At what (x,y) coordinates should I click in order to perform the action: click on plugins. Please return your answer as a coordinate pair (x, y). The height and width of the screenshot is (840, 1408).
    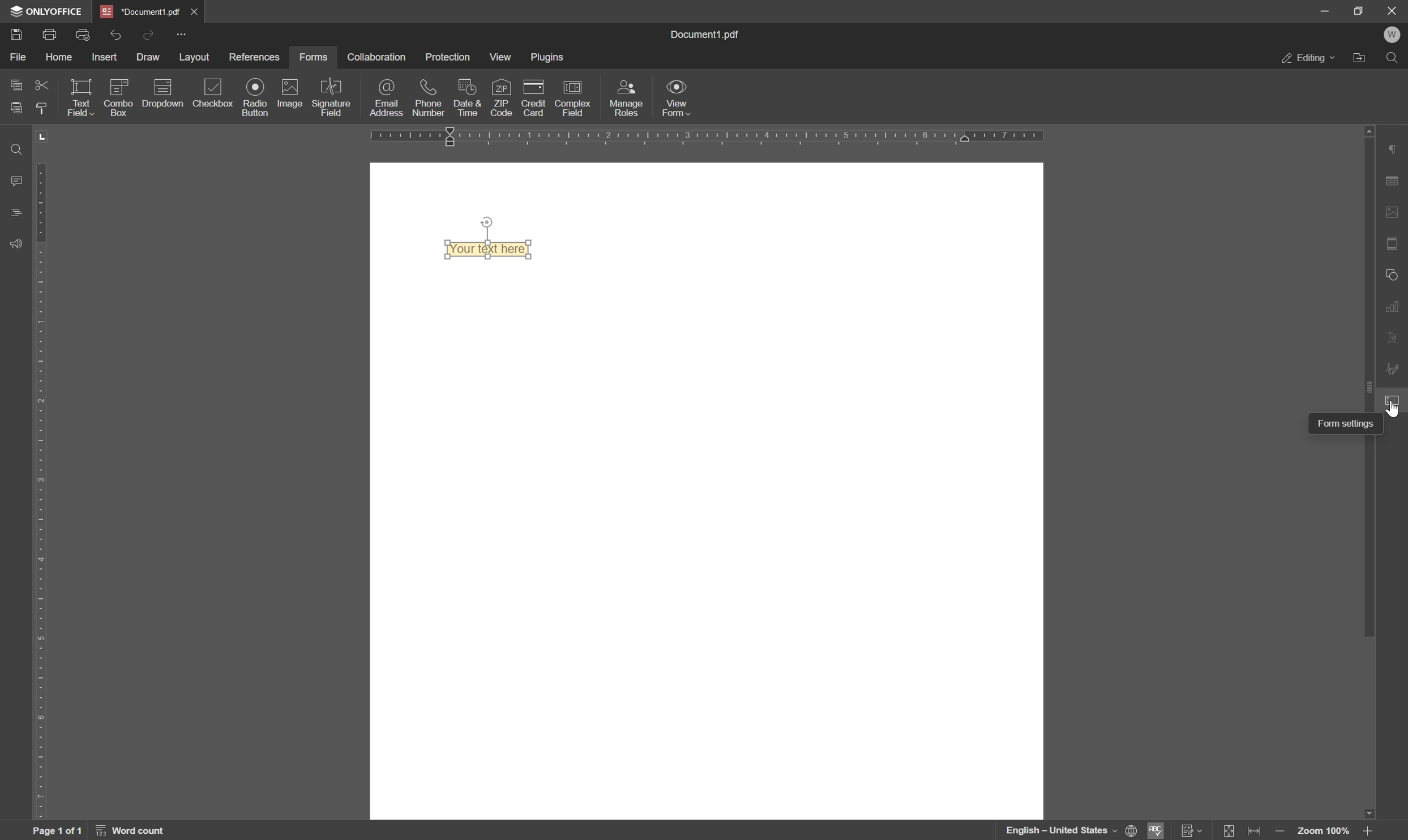
    Looking at the image, I should click on (552, 59).